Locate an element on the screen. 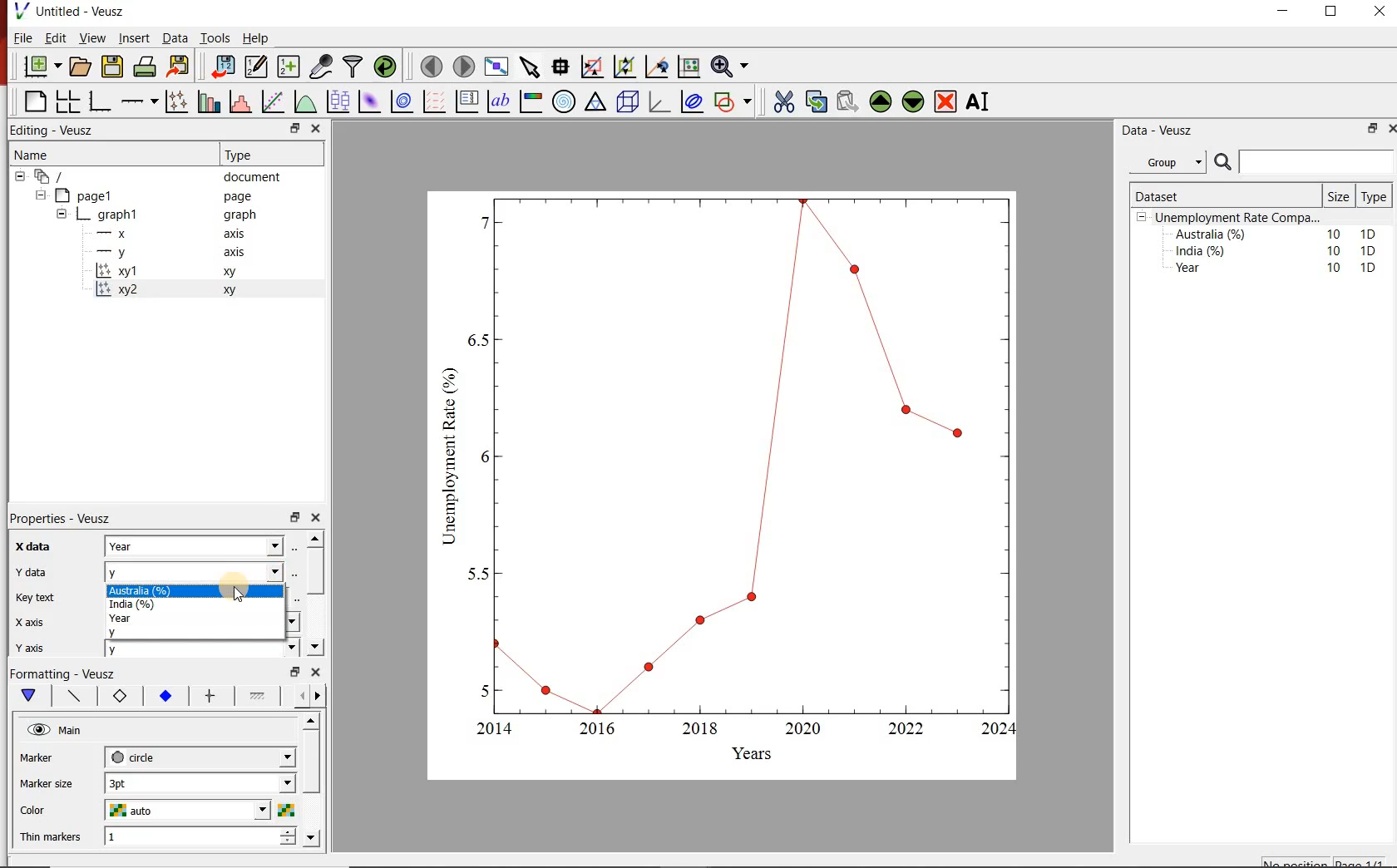 Image resolution: width=1397 pixels, height=868 pixels. choose color is located at coordinates (285, 810).